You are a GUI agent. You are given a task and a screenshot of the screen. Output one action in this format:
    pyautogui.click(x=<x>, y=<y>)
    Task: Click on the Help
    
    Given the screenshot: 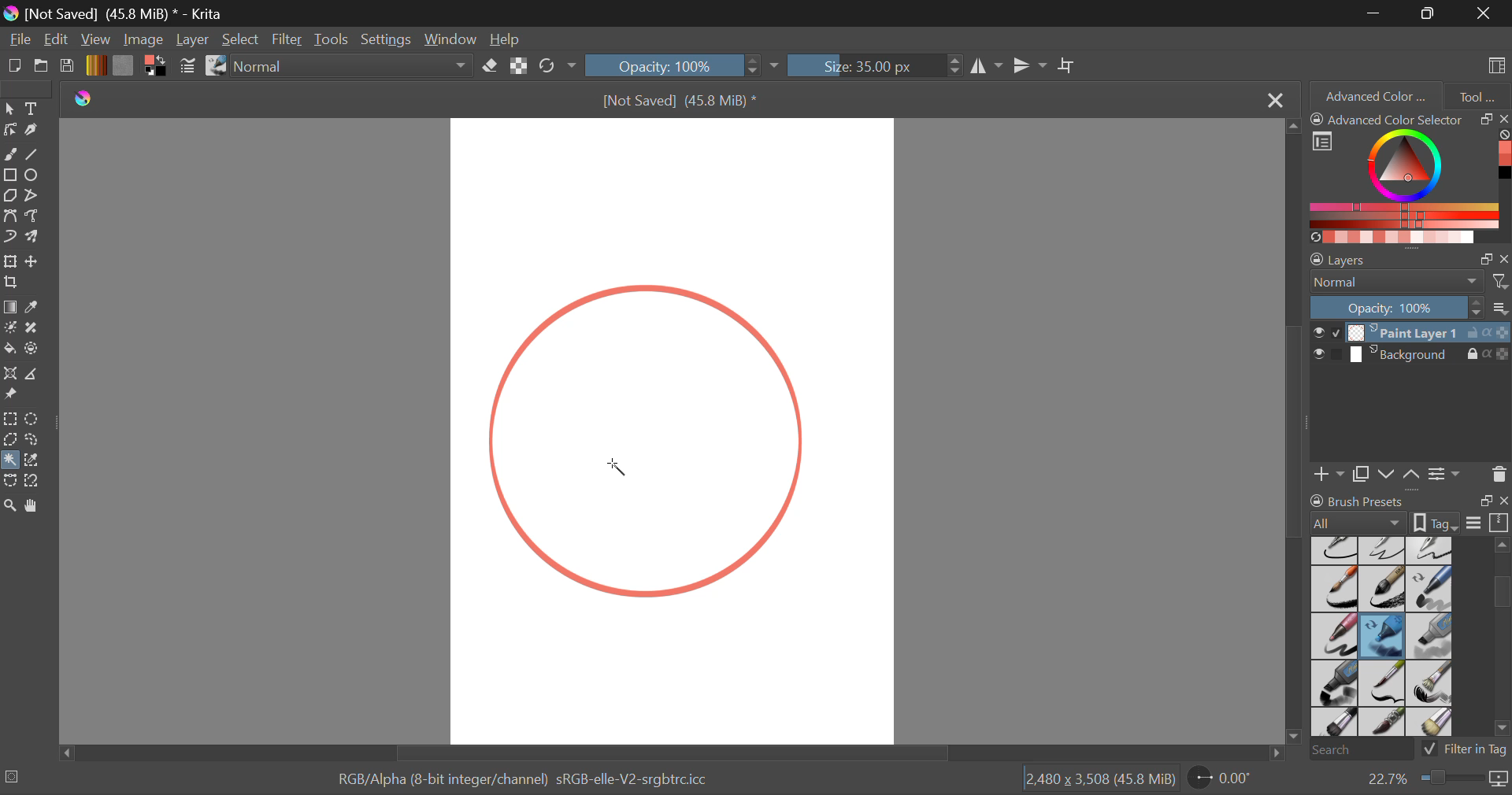 What is the action you would take?
    pyautogui.click(x=507, y=41)
    